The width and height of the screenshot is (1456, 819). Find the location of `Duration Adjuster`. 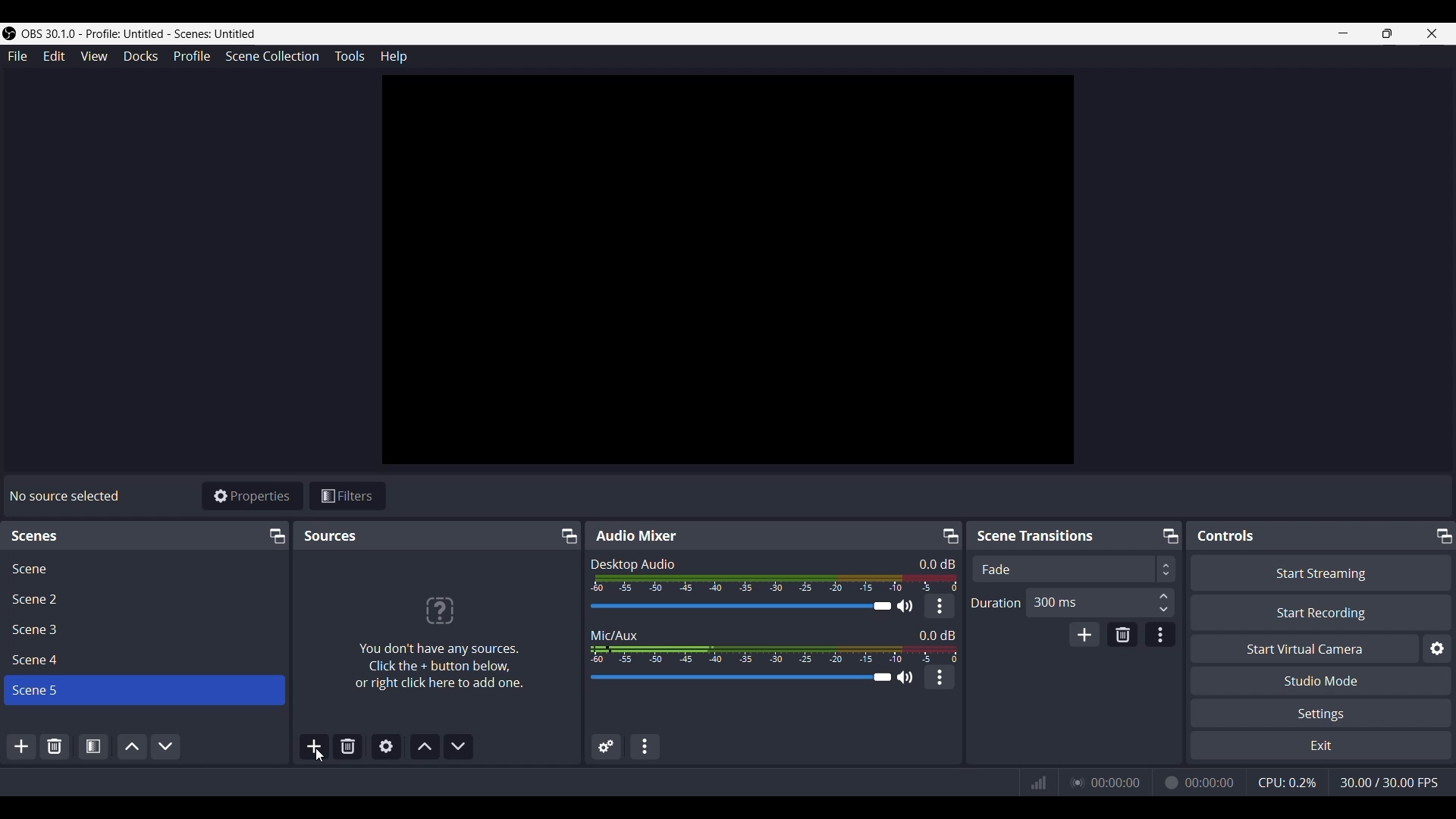

Duration Adjuster is located at coordinates (996, 602).